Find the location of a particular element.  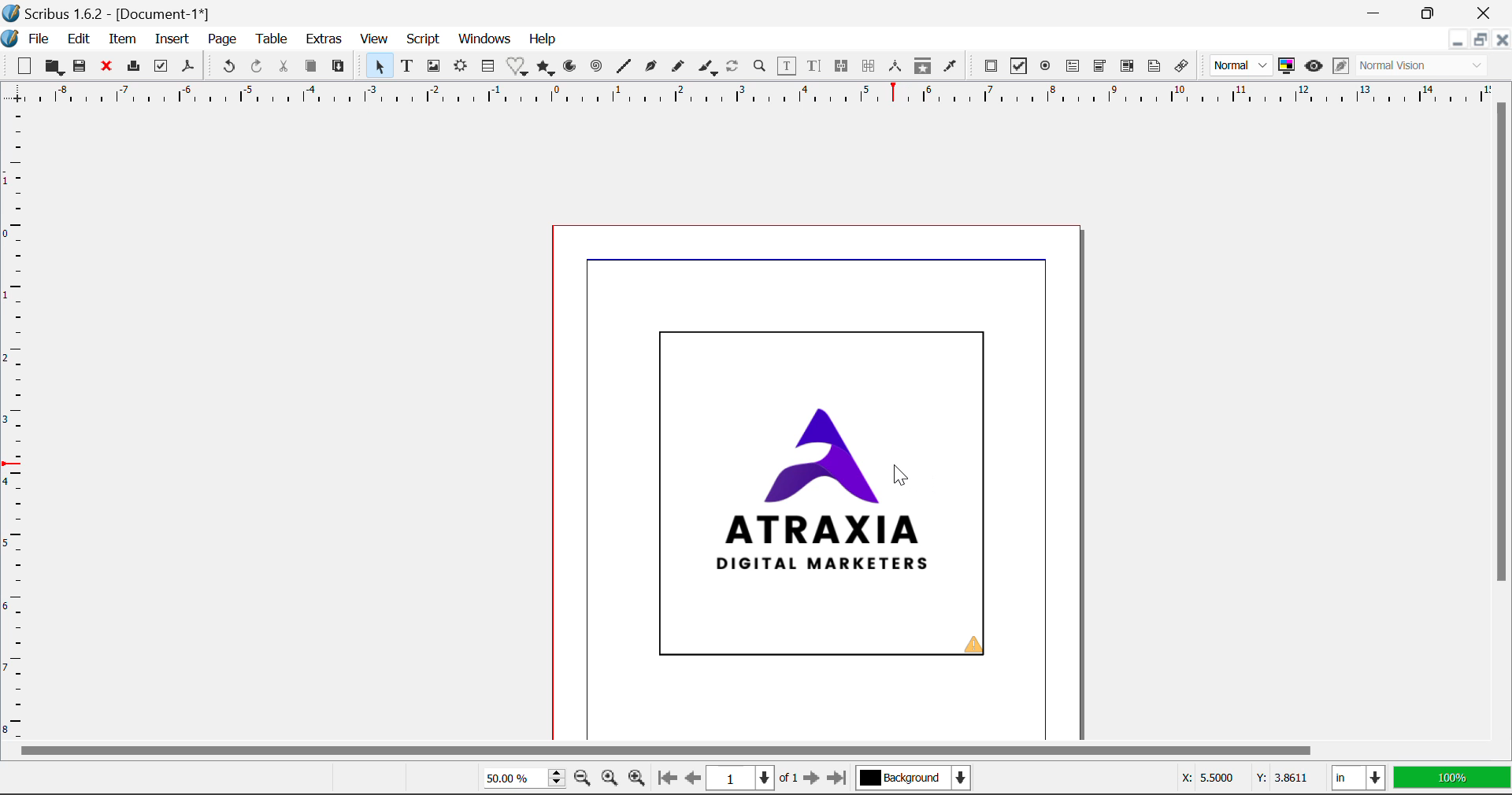

Item is located at coordinates (123, 40).